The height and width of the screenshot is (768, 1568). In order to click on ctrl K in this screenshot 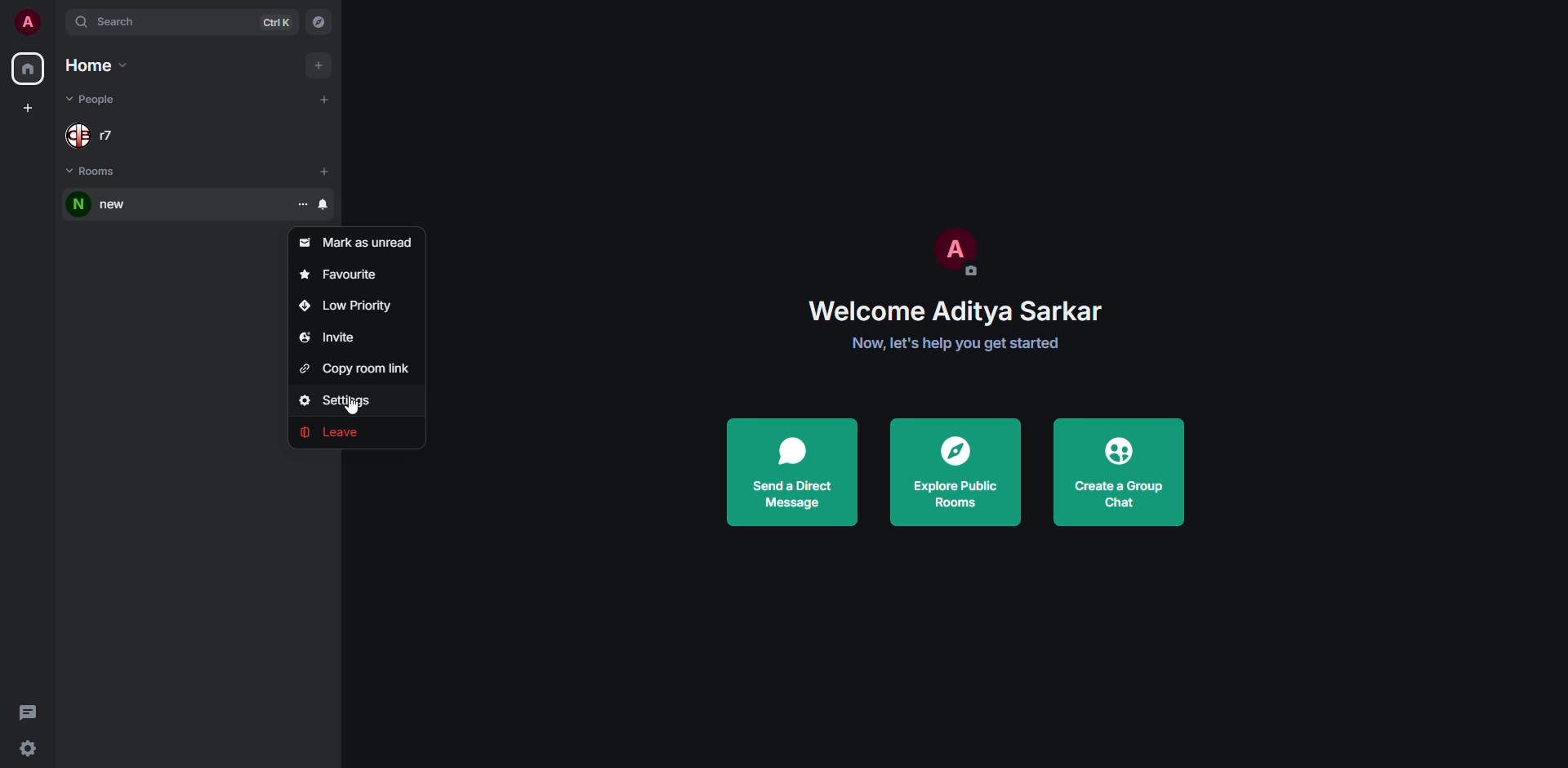, I will do `click(277, 22)`.